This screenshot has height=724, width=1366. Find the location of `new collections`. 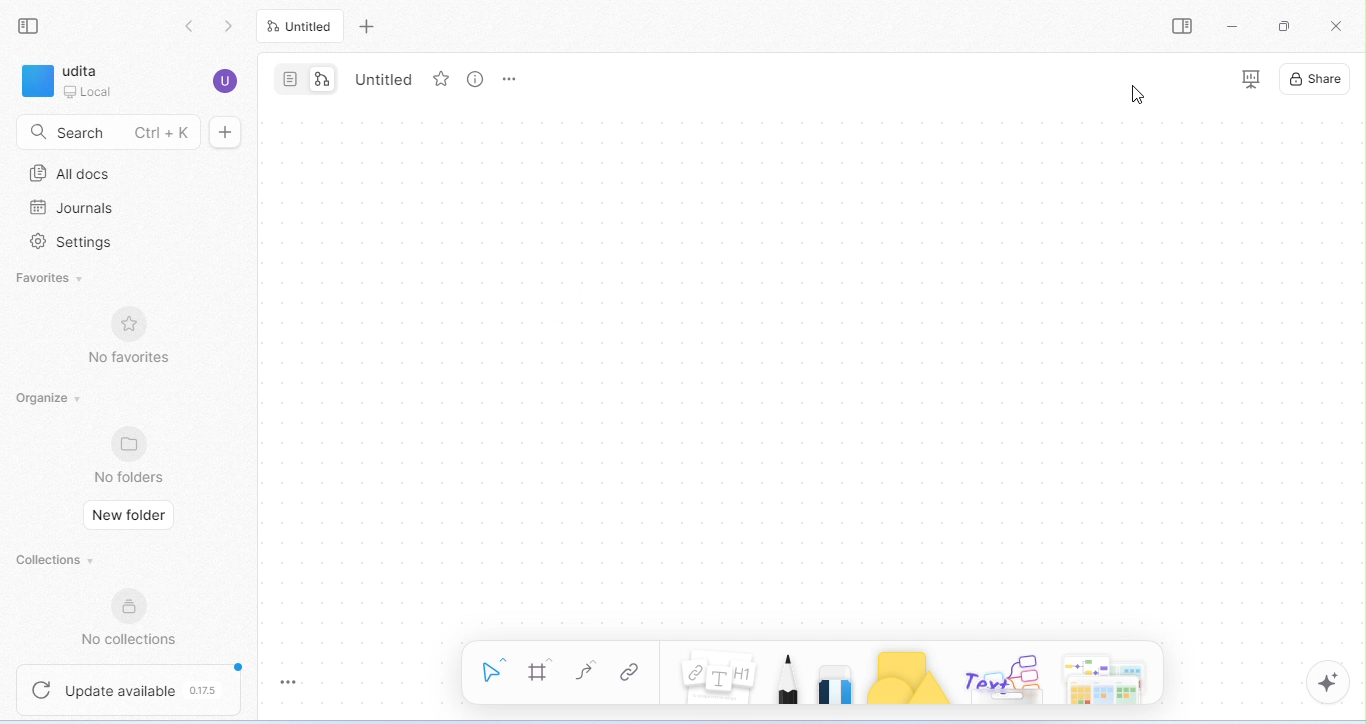

new collections is located at coordinates (137, 618).